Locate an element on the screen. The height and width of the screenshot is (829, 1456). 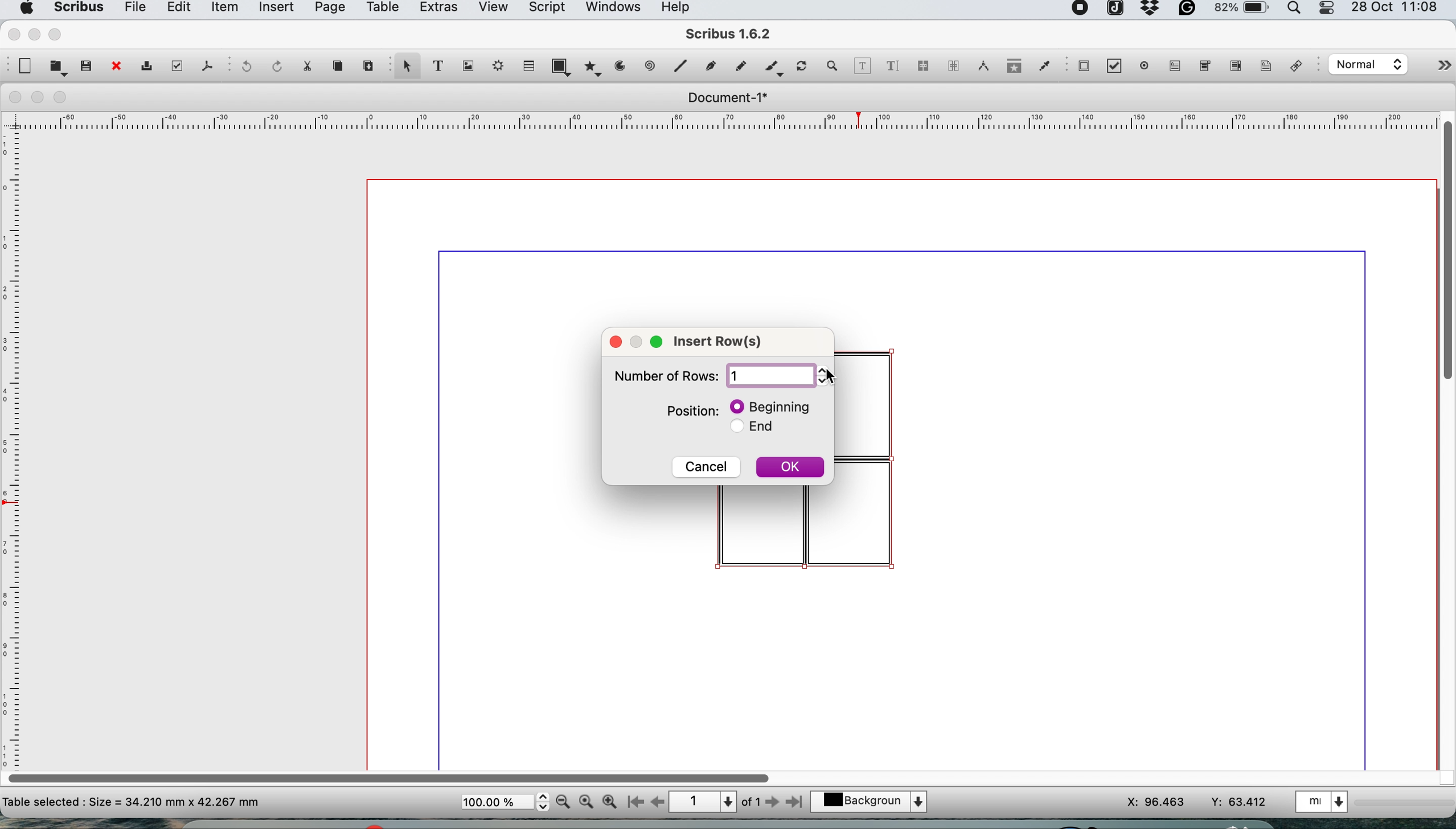
number of rows input box is located at coordinates (769, 376).